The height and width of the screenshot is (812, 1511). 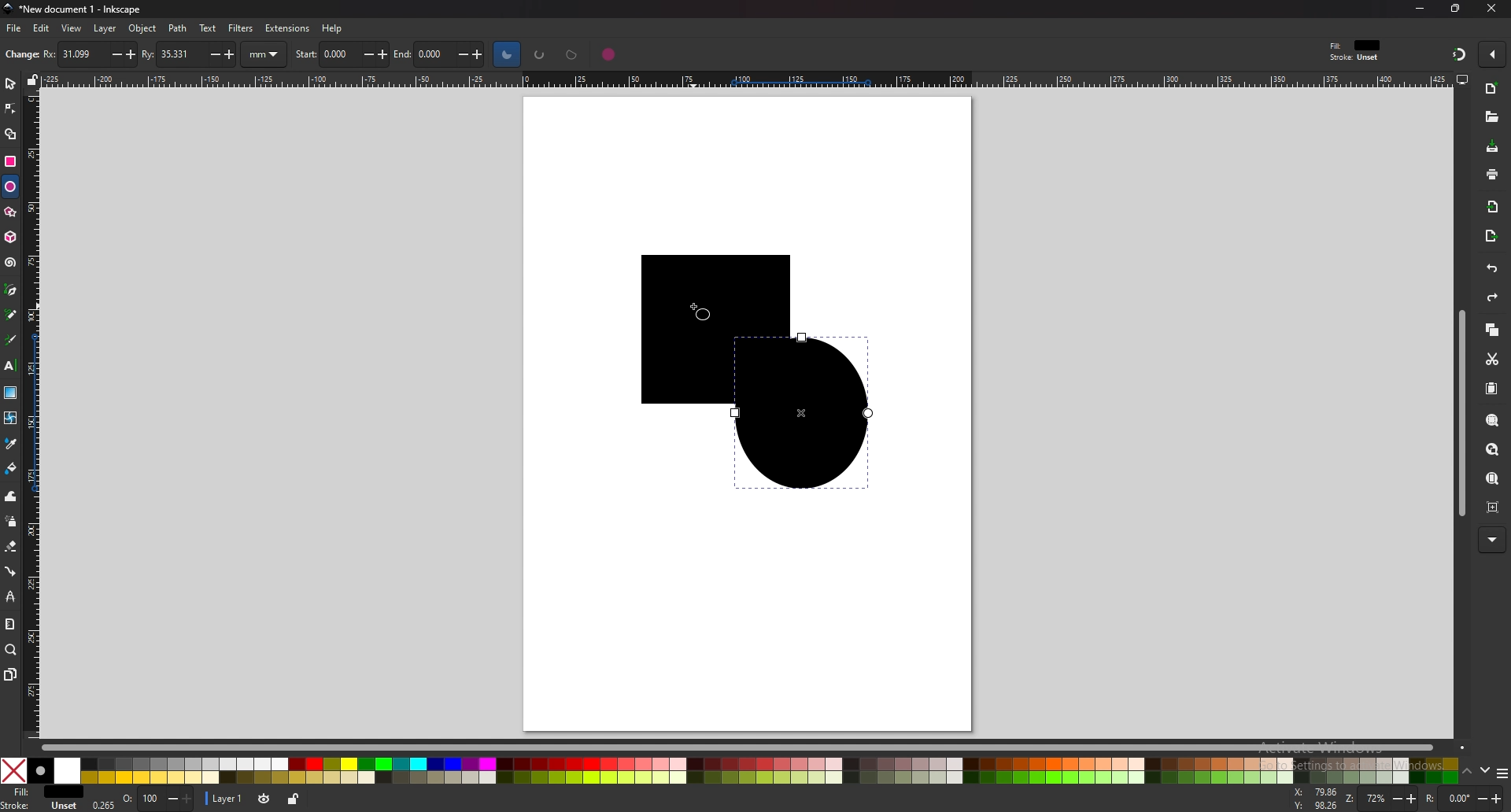 I want to click on file, so click(x=15, y=28).